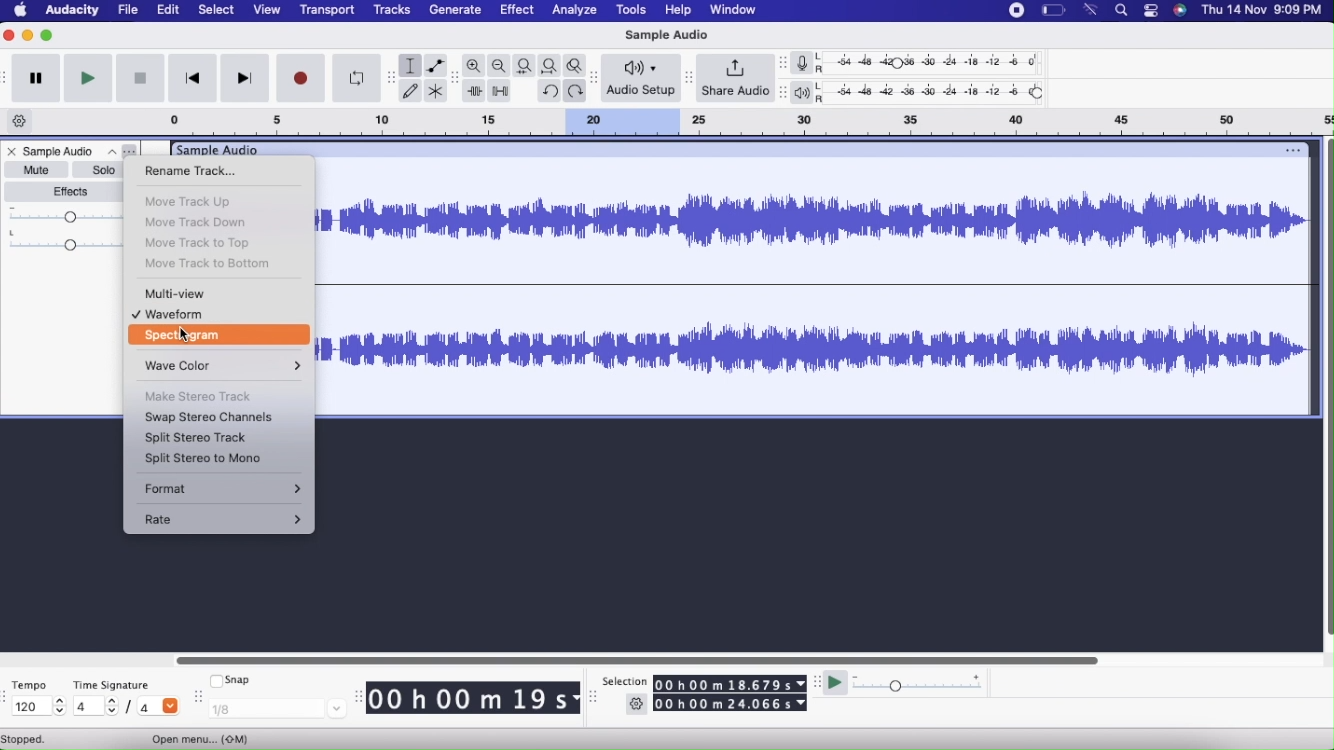 The width and height of the screenshot is (1334, 750). Describe the element at coordinates (36, 740) in the screenshot. I see `Stopped` at that location.